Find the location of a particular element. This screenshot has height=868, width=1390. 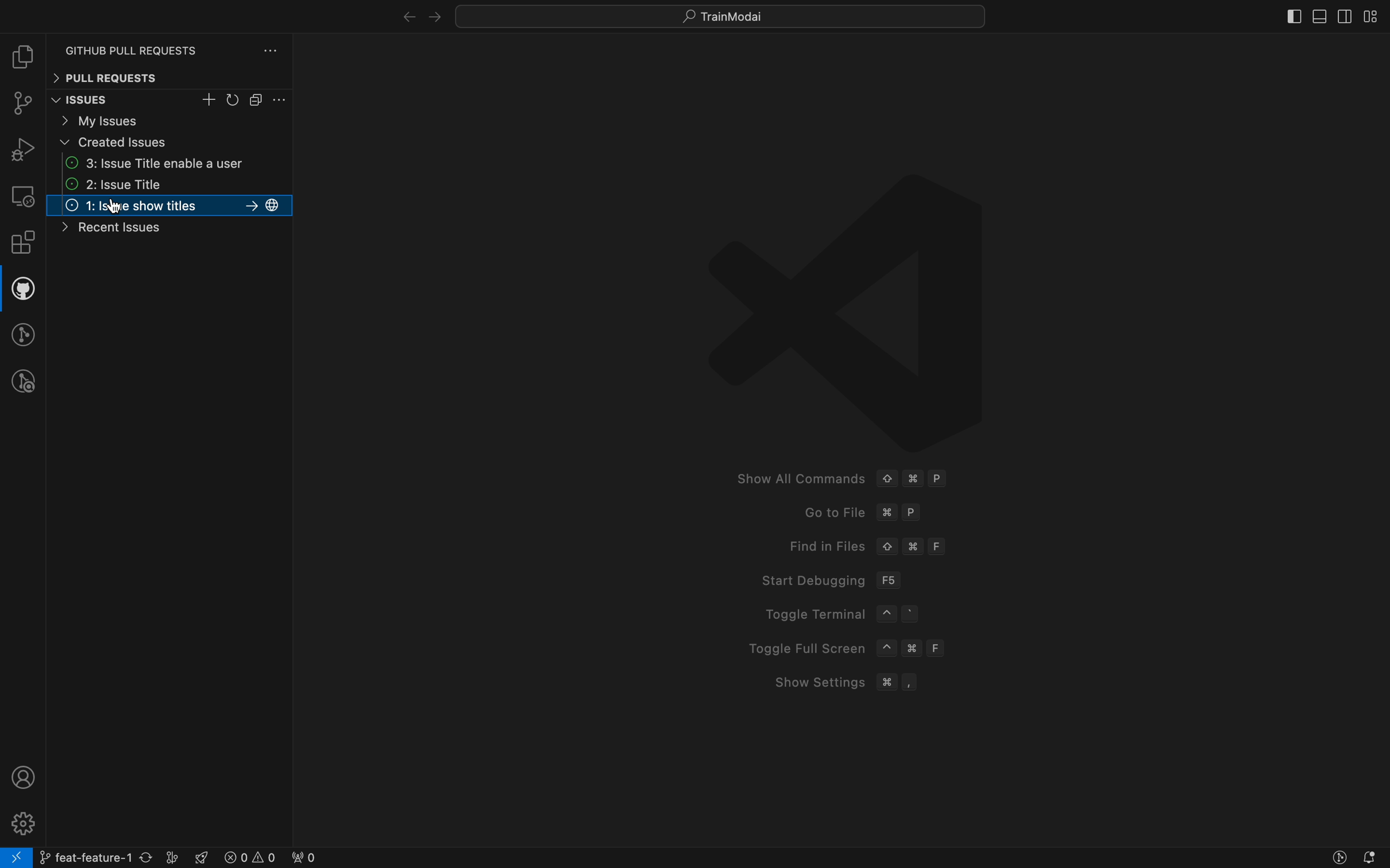

add an issue is located at coordinates (210, 100).